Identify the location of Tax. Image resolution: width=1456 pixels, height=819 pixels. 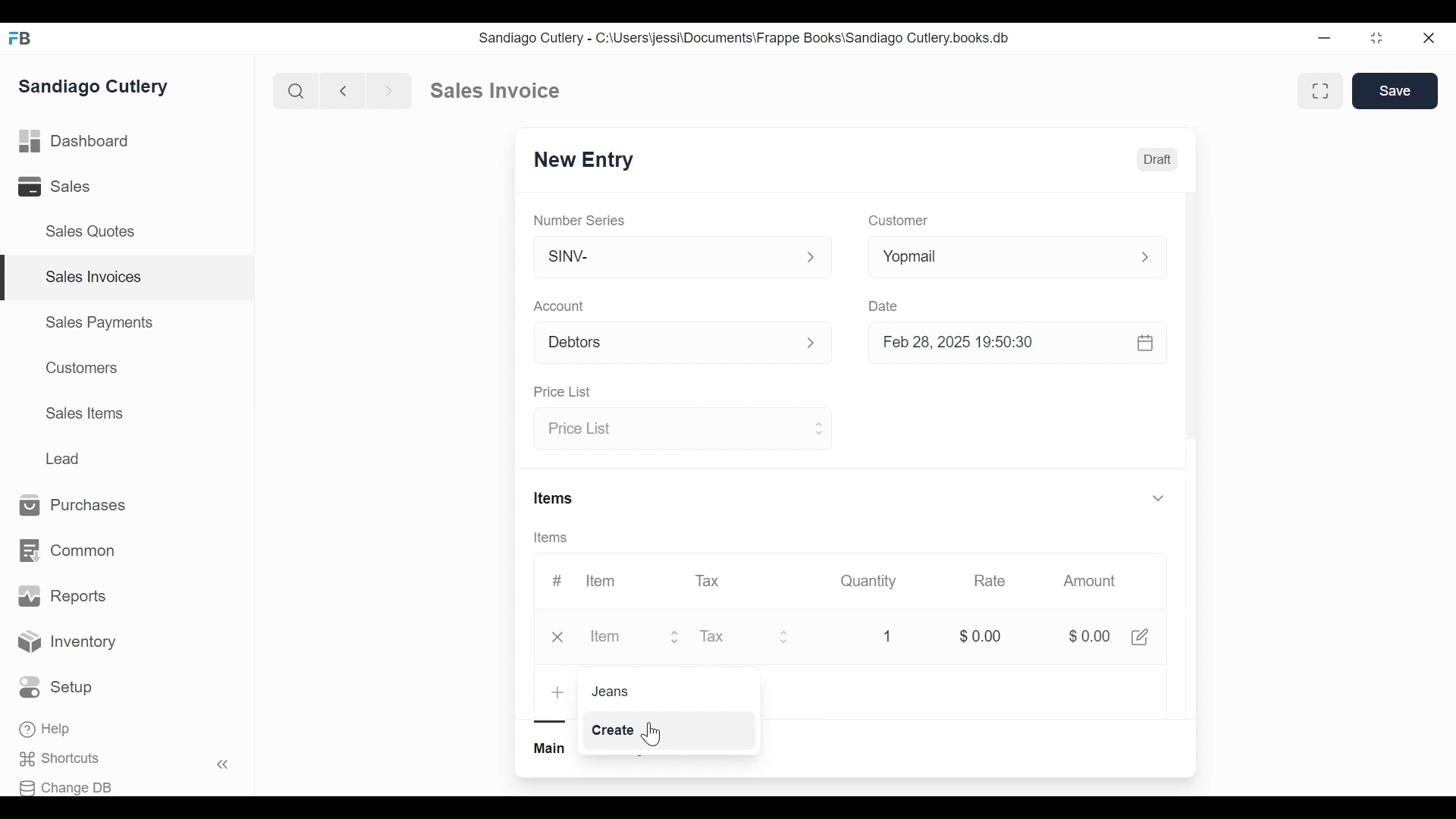
(708, 580).